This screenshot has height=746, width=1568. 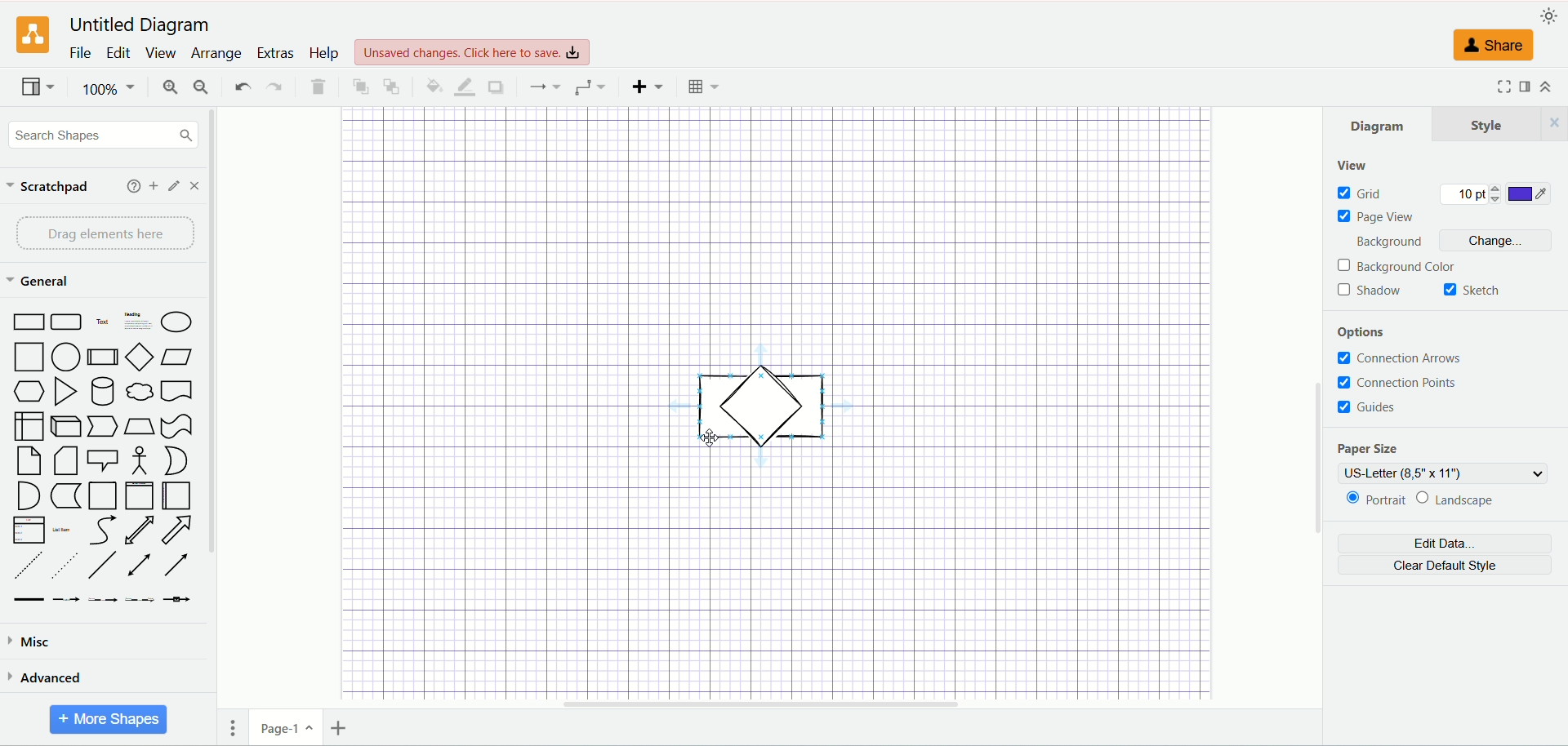 I want to click on background, so click(x=1386, y=241).